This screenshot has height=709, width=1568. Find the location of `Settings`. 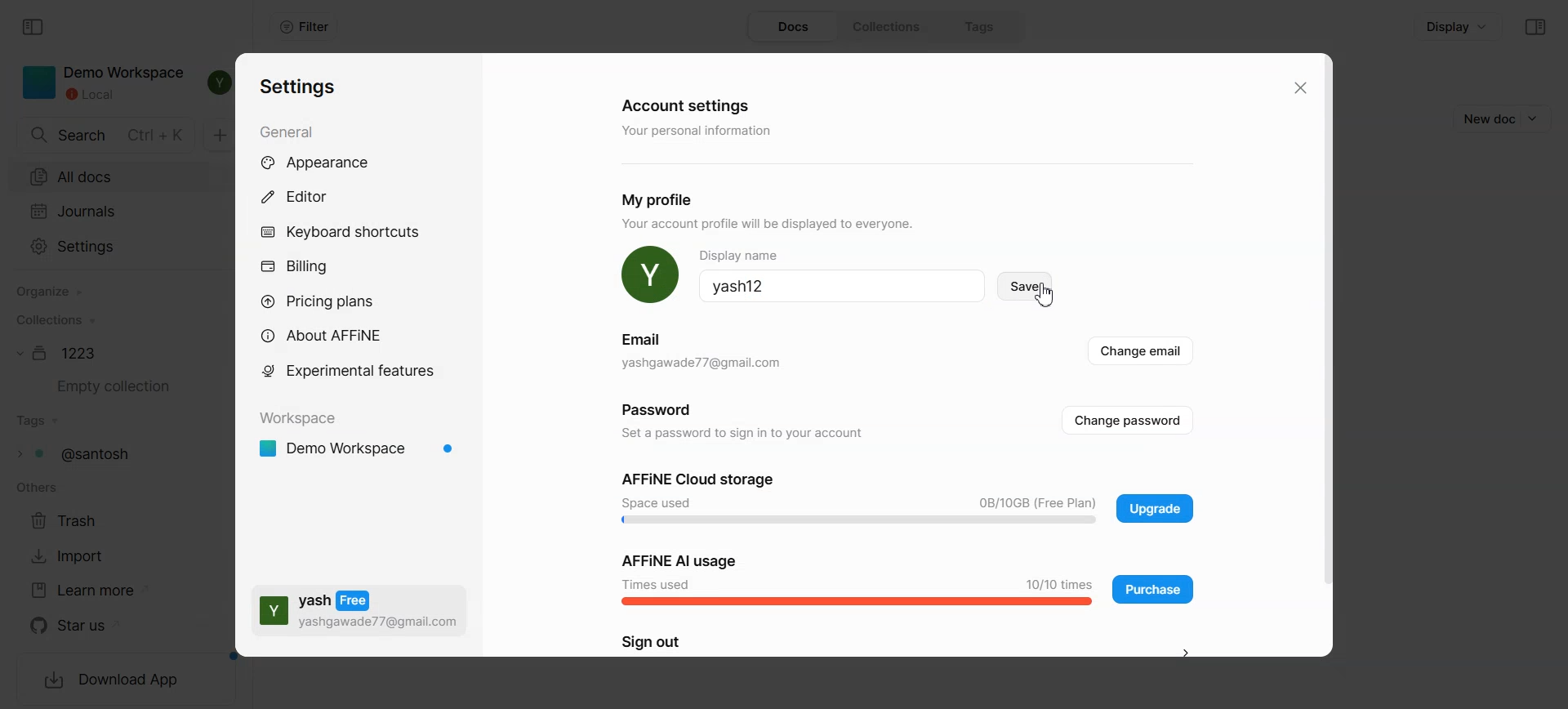

Settings is located at coordinates (299, 87).